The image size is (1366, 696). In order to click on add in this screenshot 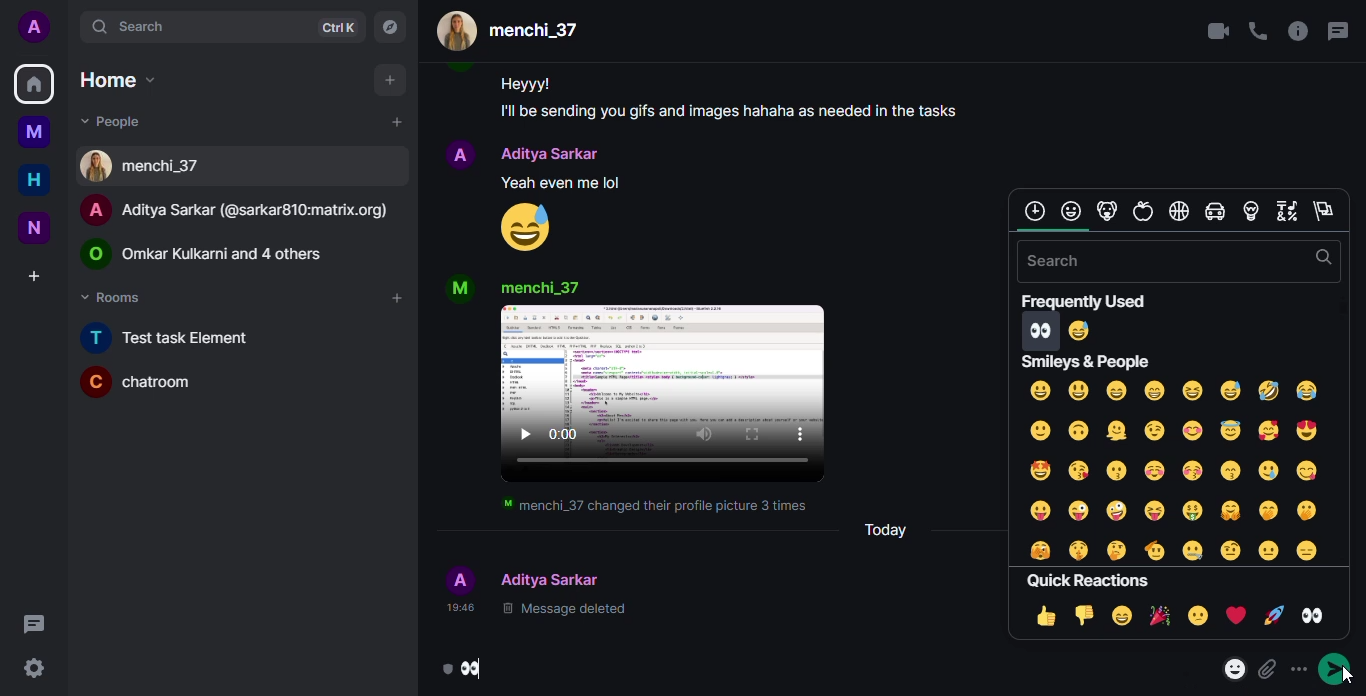, I will do `click(385, 80)`.